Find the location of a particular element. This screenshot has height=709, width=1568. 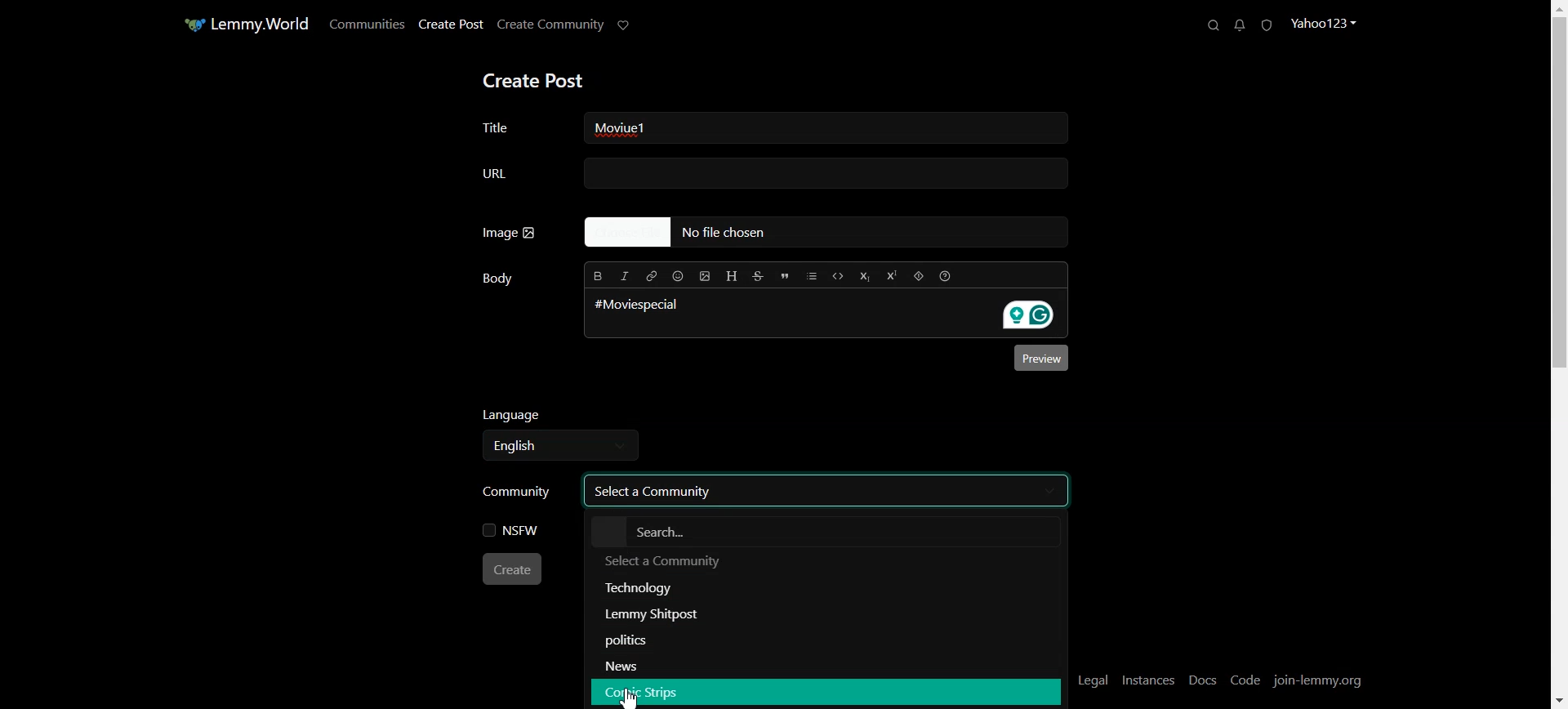

Bold  is located at coordinates (596, 275).